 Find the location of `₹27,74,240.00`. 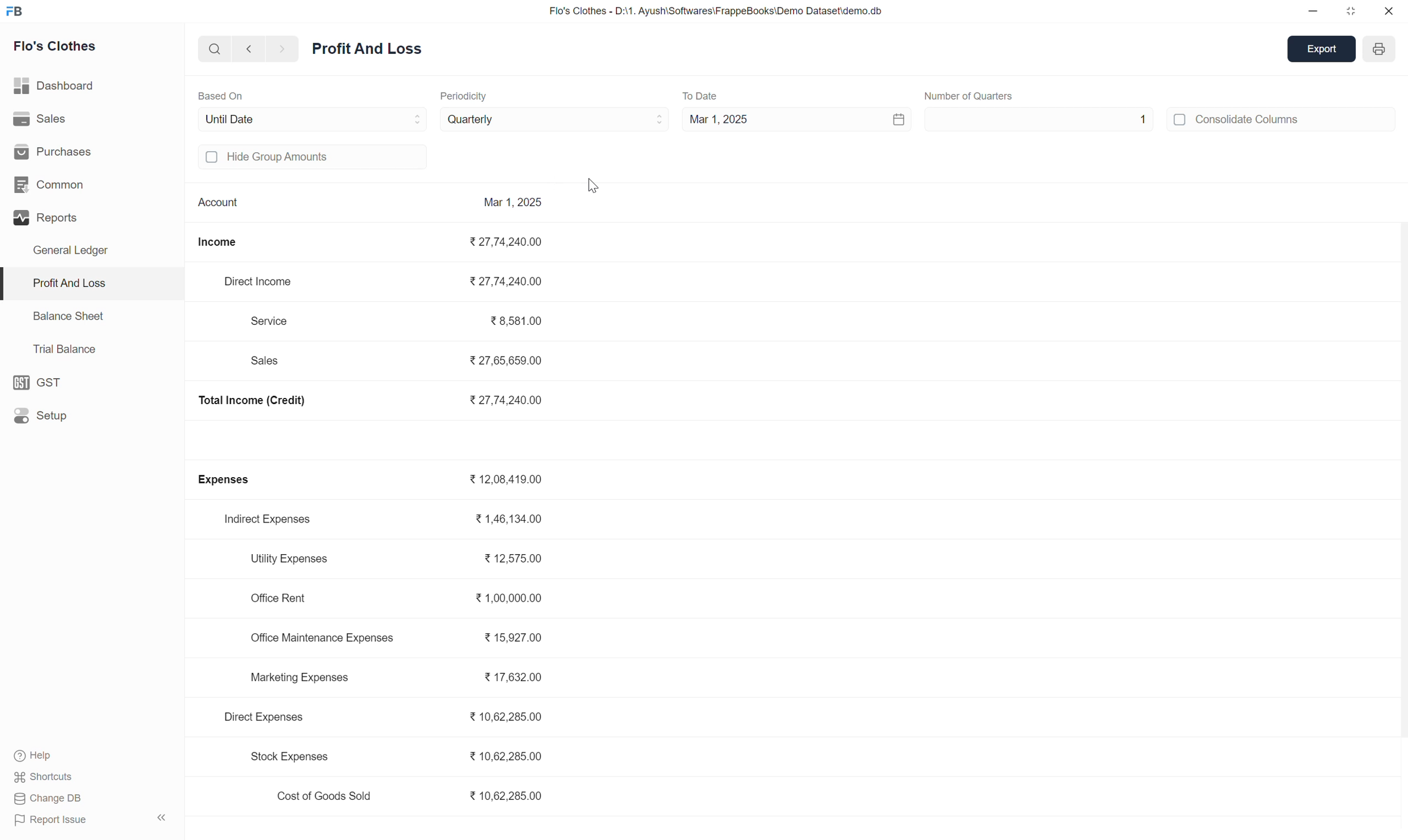

₹27,74,240.00 is located at coordinates (506, 401).